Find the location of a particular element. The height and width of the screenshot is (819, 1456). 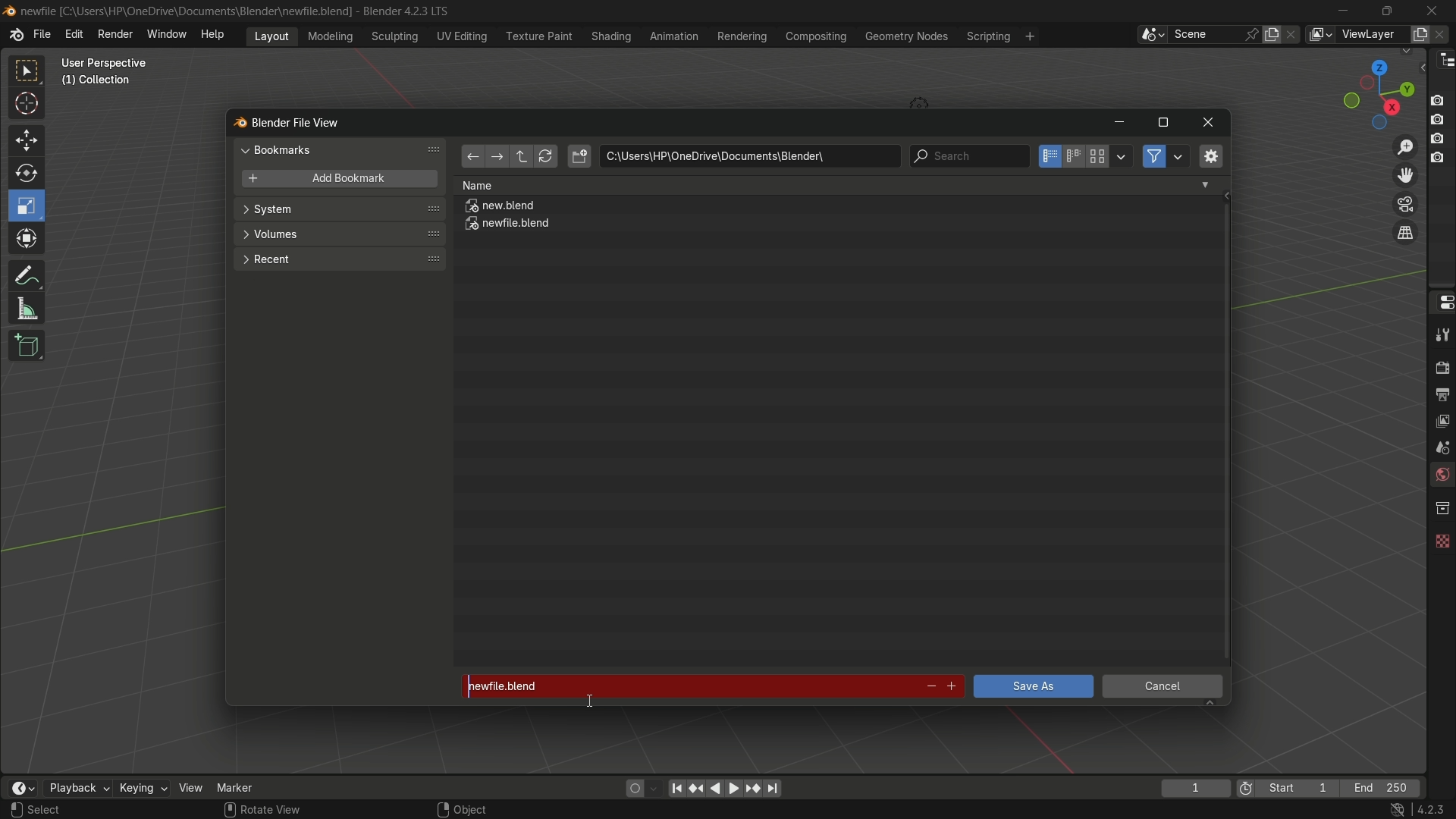

render is located at coordinates (1439, 366).